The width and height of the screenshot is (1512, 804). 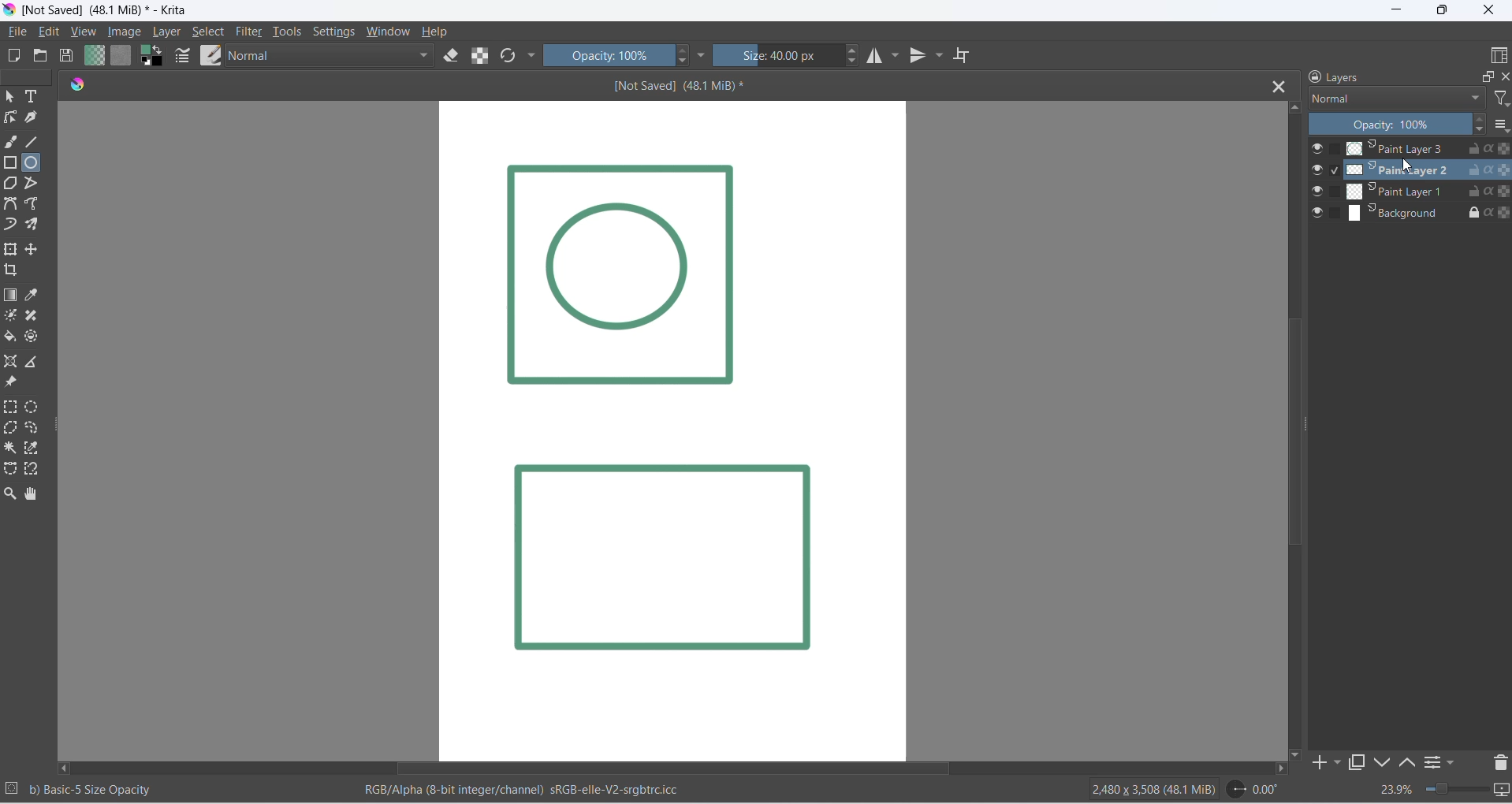 I want to click on [Not Saved] (48.1 MiB)*, so click(x=700, y=87).